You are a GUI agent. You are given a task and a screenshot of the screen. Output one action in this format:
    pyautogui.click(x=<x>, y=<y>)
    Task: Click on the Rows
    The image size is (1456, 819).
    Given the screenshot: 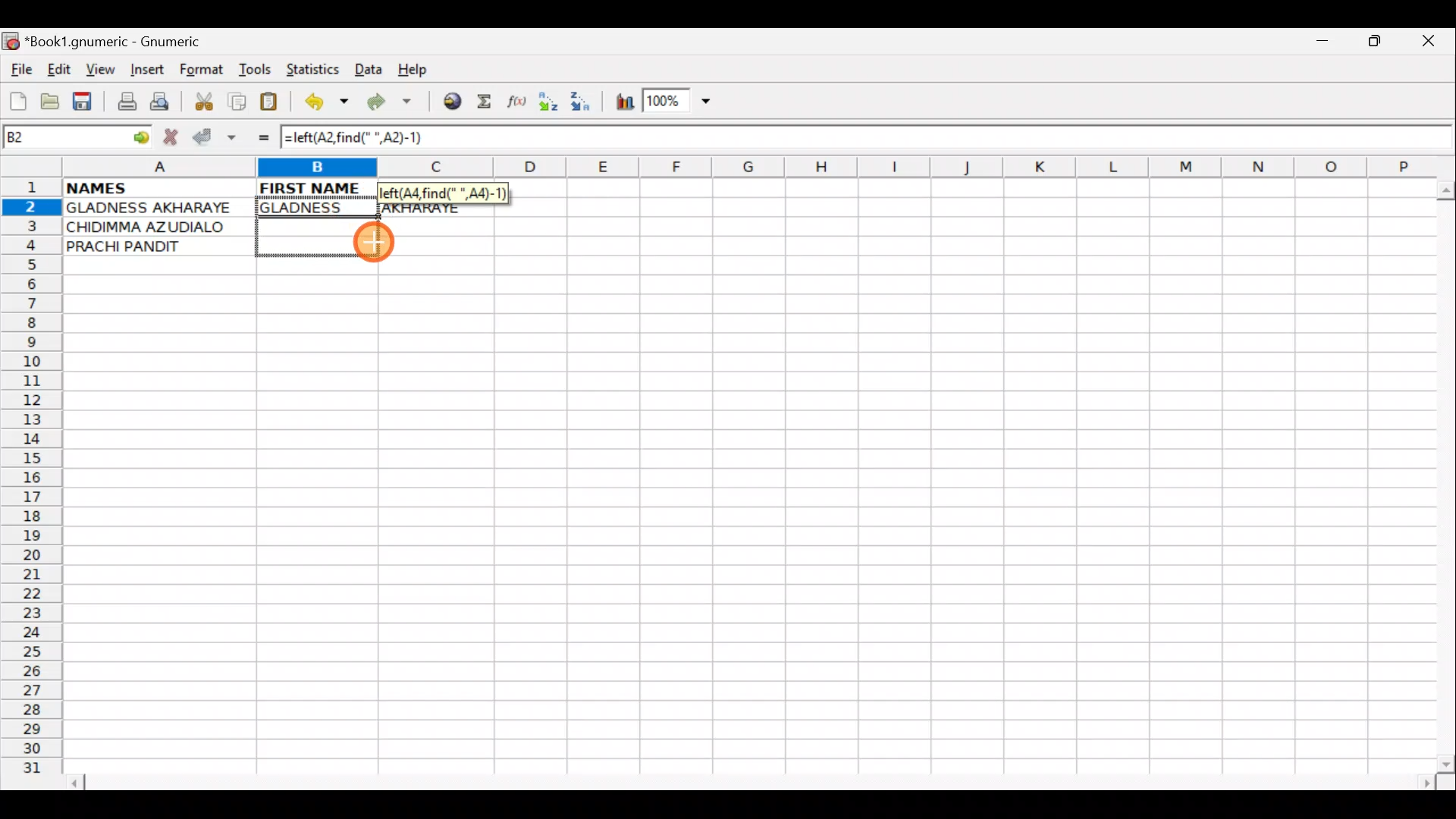 What is the action you would take?
    pyautogui.click(x=32, y=482)
    